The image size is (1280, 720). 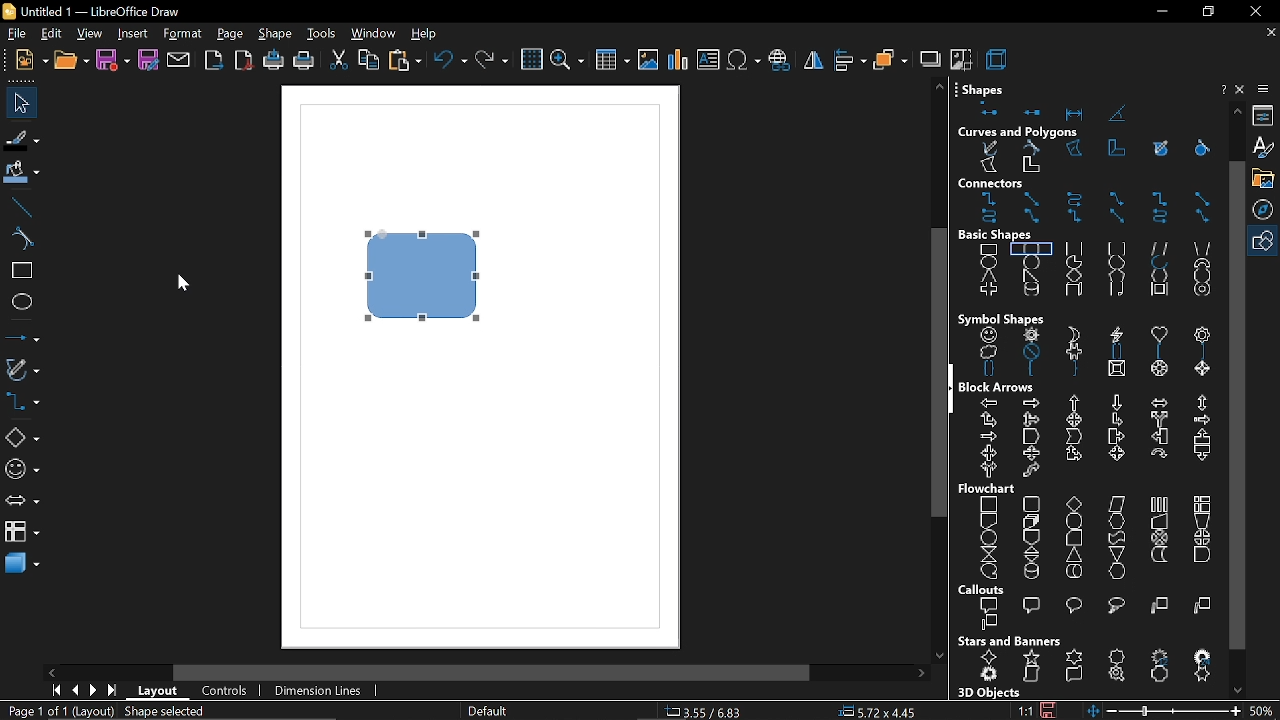 I want to click on move up, so click(x=1238, y=110).